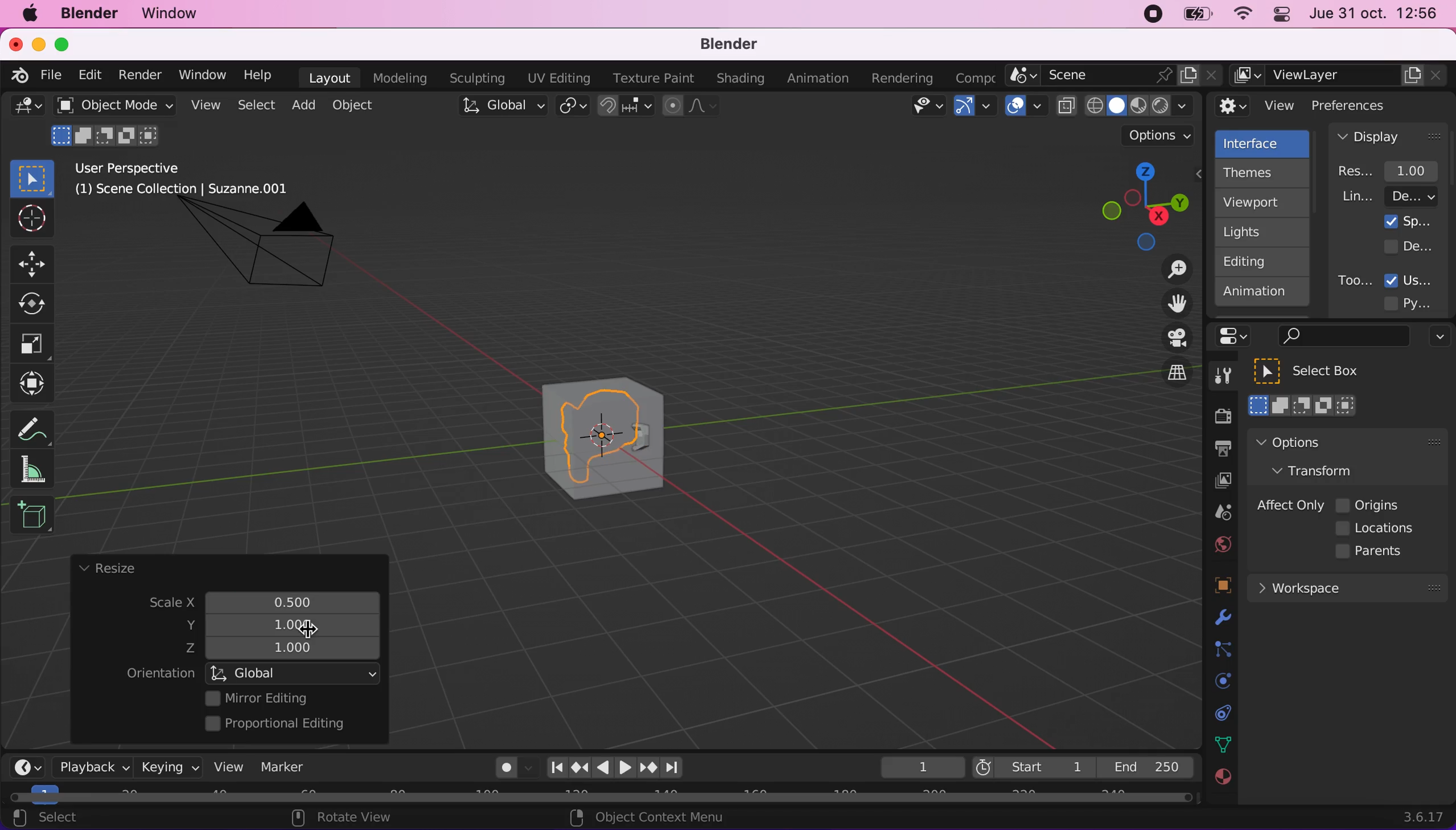 The image size is (1456, 830). What do you see at coordinates (1340, 76) in the screenshot?
I see `view layer` at bounding box center [1340, 76].